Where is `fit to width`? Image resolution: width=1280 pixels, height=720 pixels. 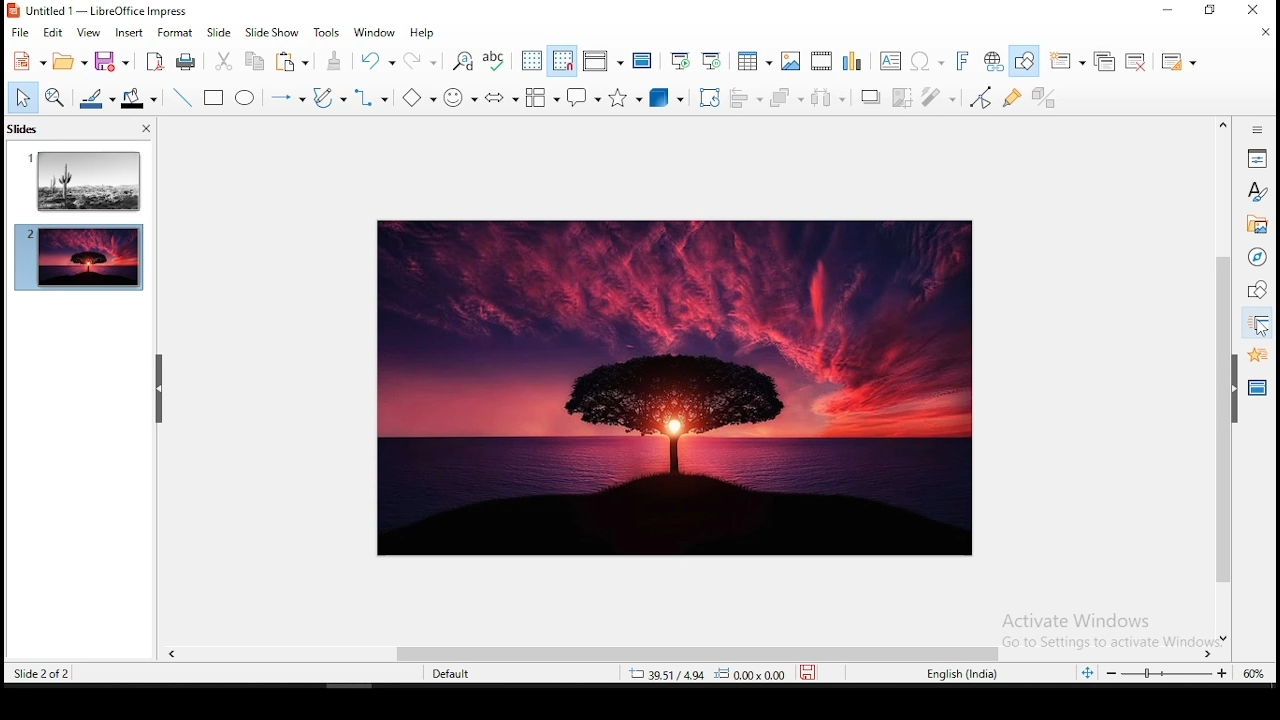
fit to width is located at coordinates (1086, 676).